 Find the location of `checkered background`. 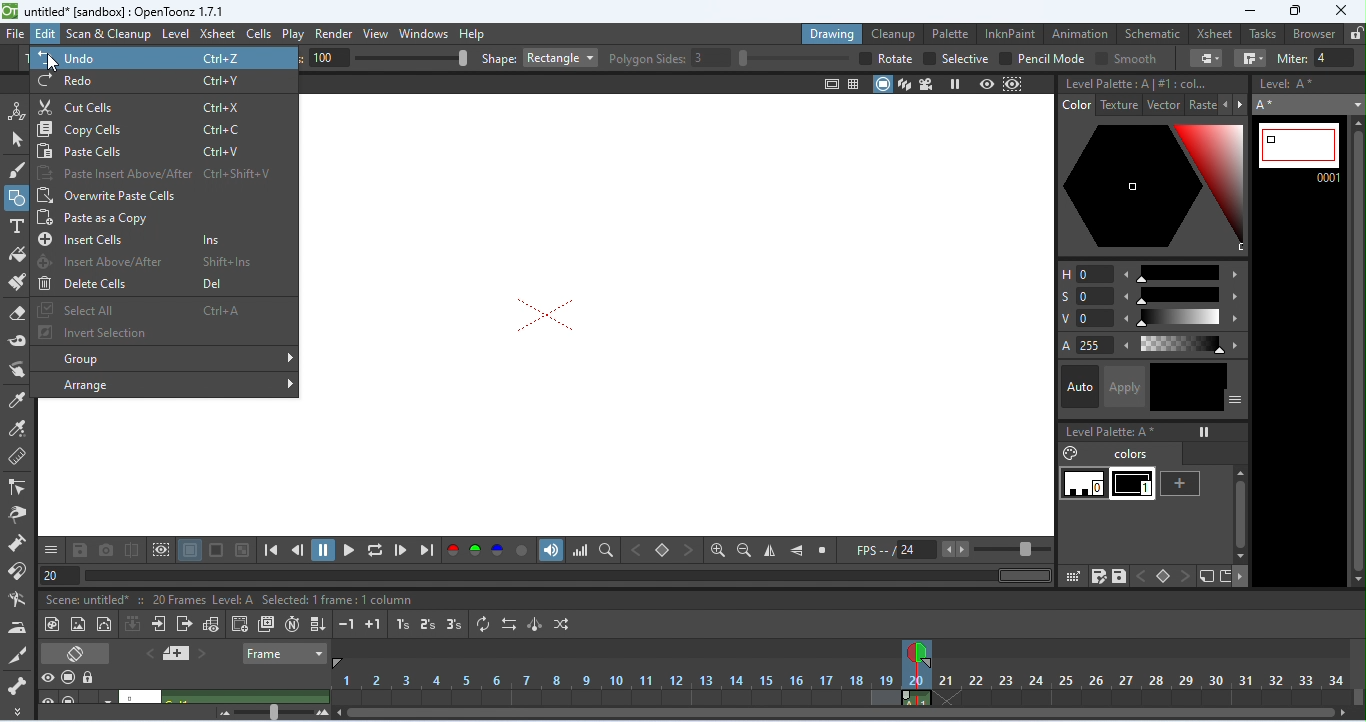

checkered background is located at coordinates (241, 550).